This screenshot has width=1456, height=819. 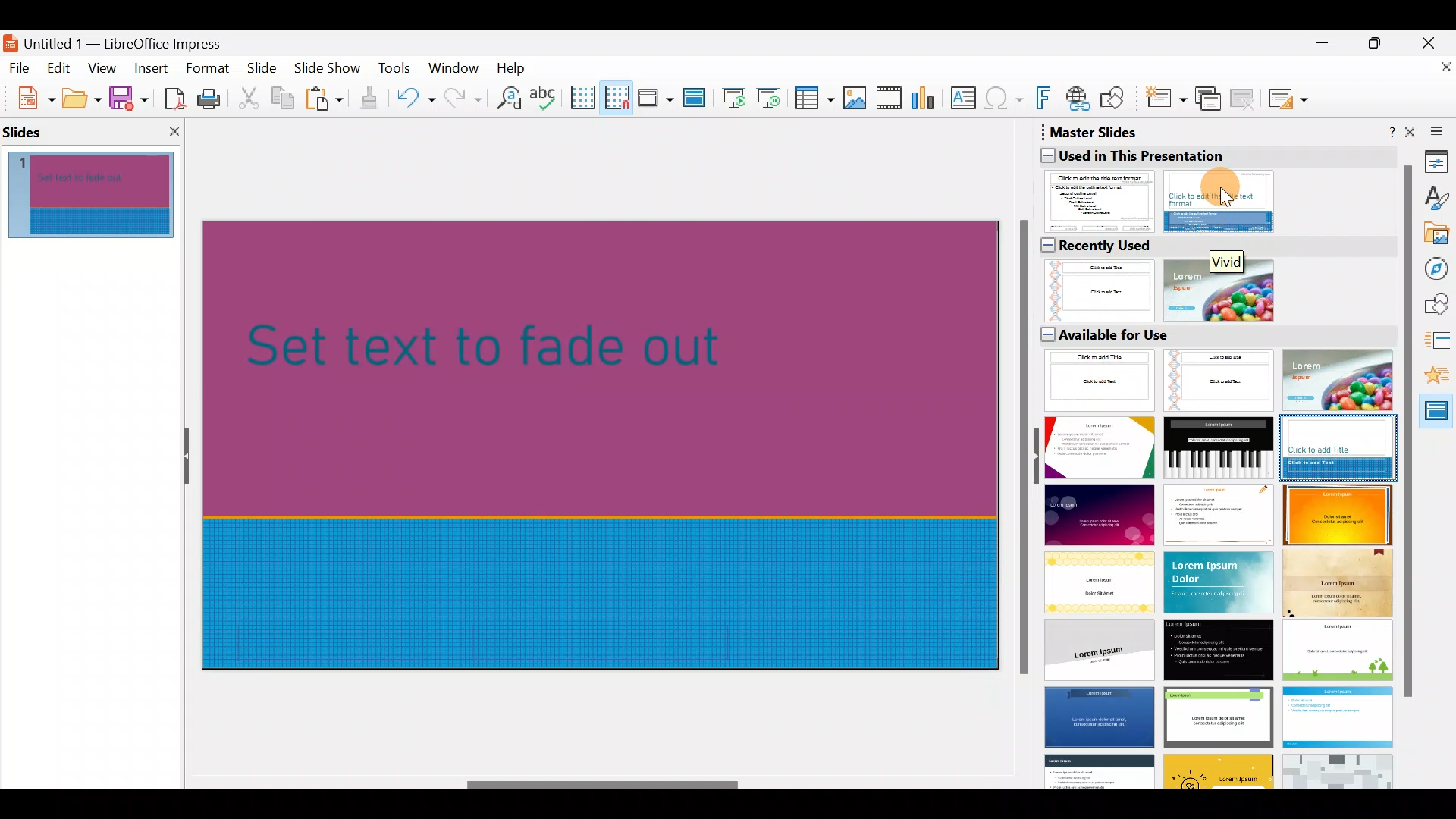 I want to click on scroll bar, so click(x=1404, y=431).